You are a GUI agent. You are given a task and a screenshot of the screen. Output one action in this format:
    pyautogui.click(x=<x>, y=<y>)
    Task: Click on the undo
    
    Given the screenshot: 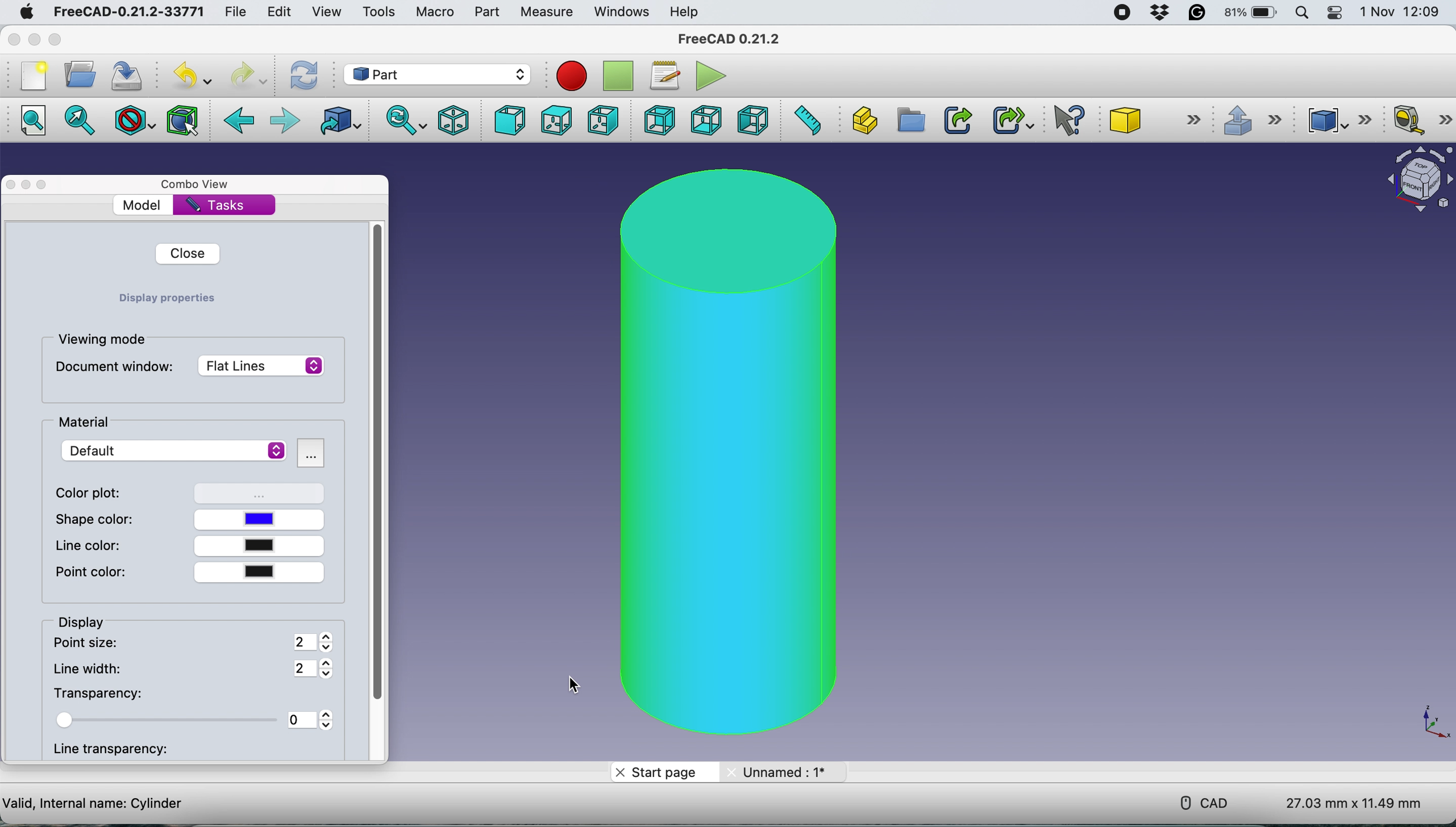 What is the action you would take?
    pyautogui.click(x=186, y=76)
    